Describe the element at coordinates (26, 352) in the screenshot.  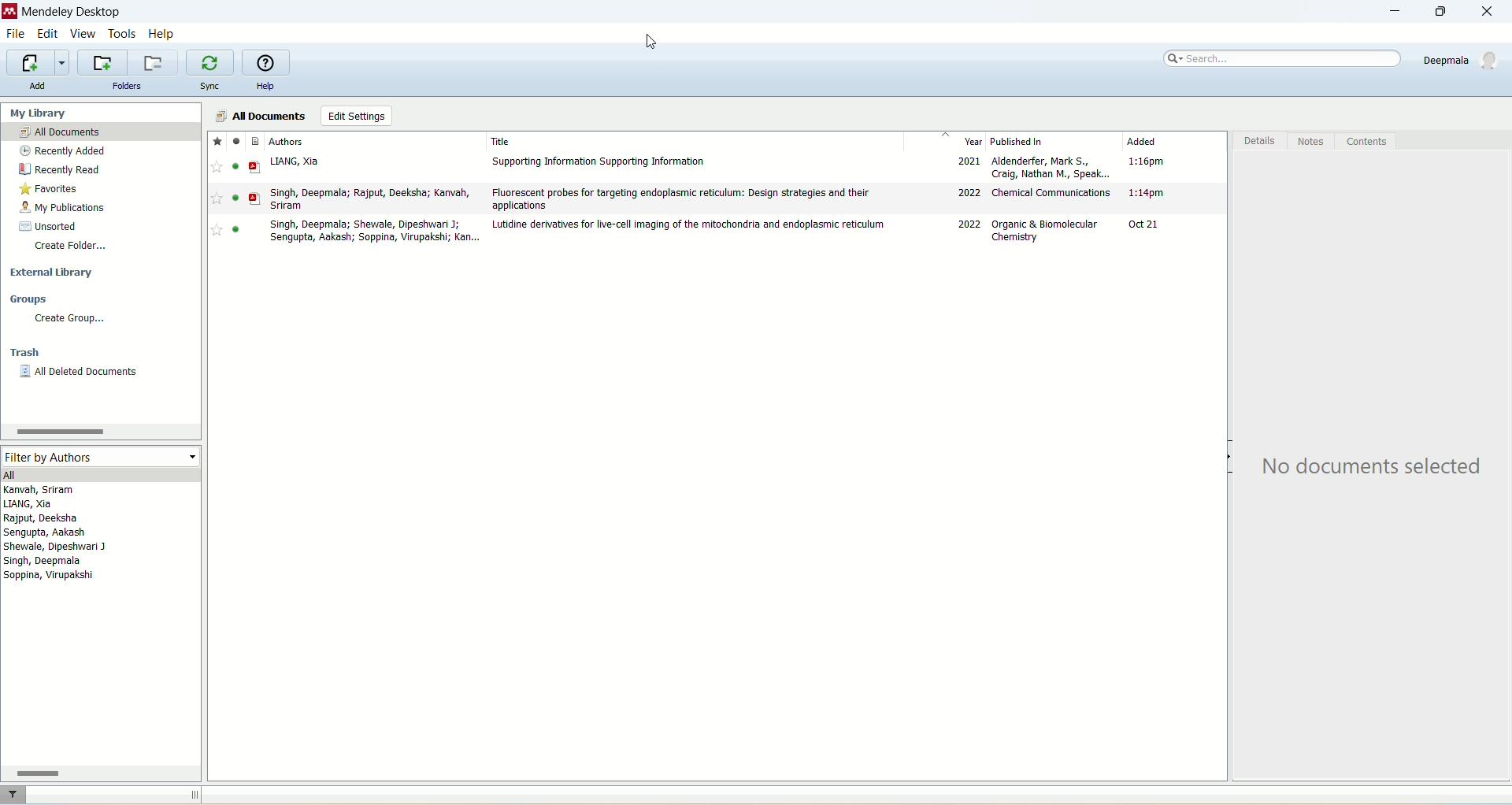
I see `trash` at that location.